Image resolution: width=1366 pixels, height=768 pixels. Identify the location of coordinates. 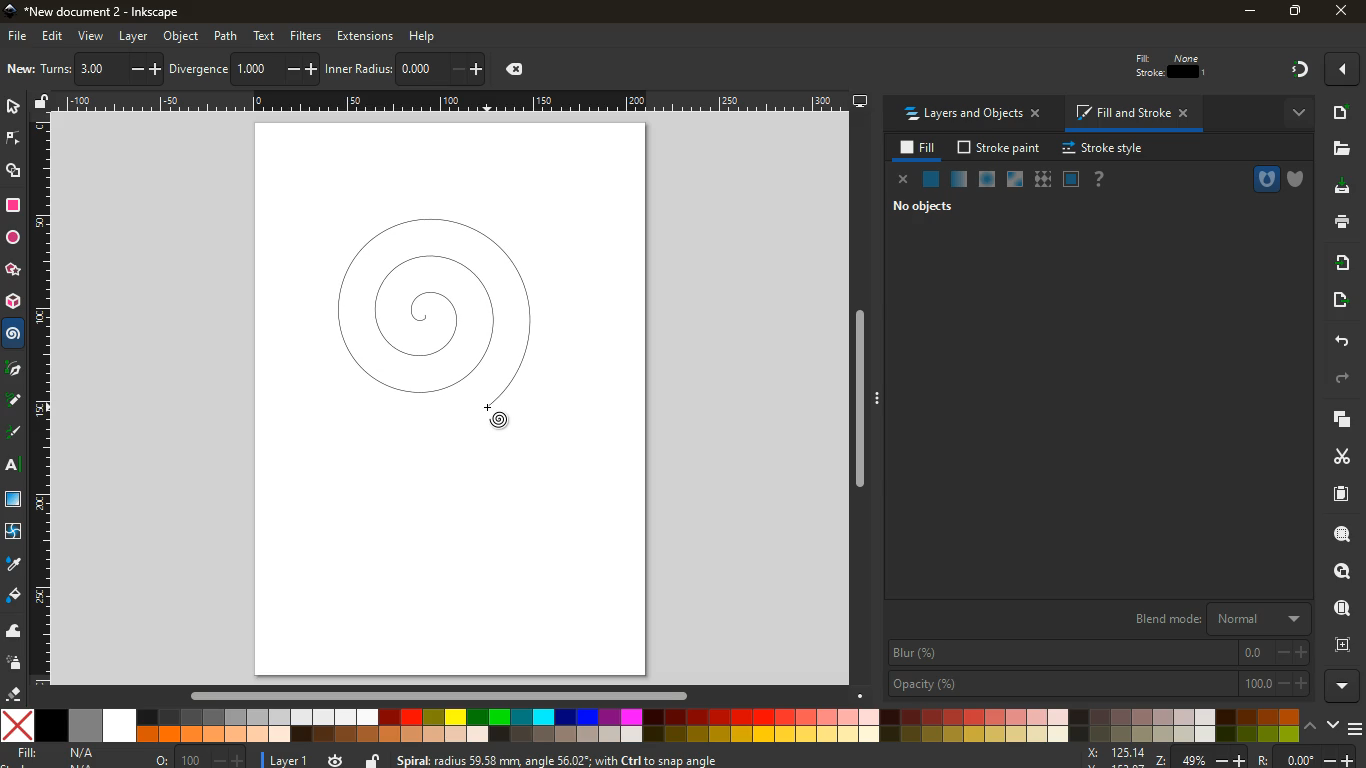
(512, 71).